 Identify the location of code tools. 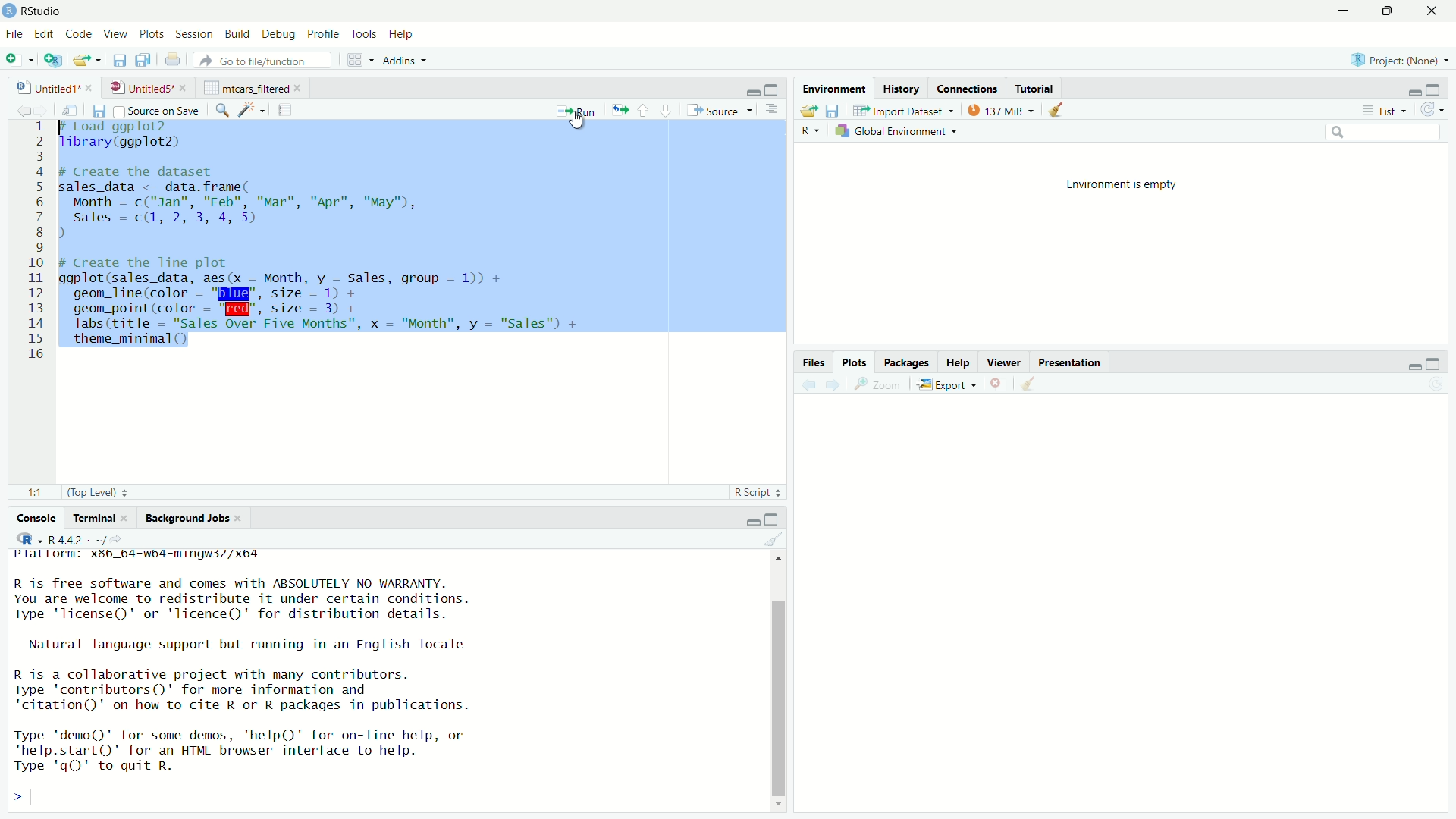
(253, 109).